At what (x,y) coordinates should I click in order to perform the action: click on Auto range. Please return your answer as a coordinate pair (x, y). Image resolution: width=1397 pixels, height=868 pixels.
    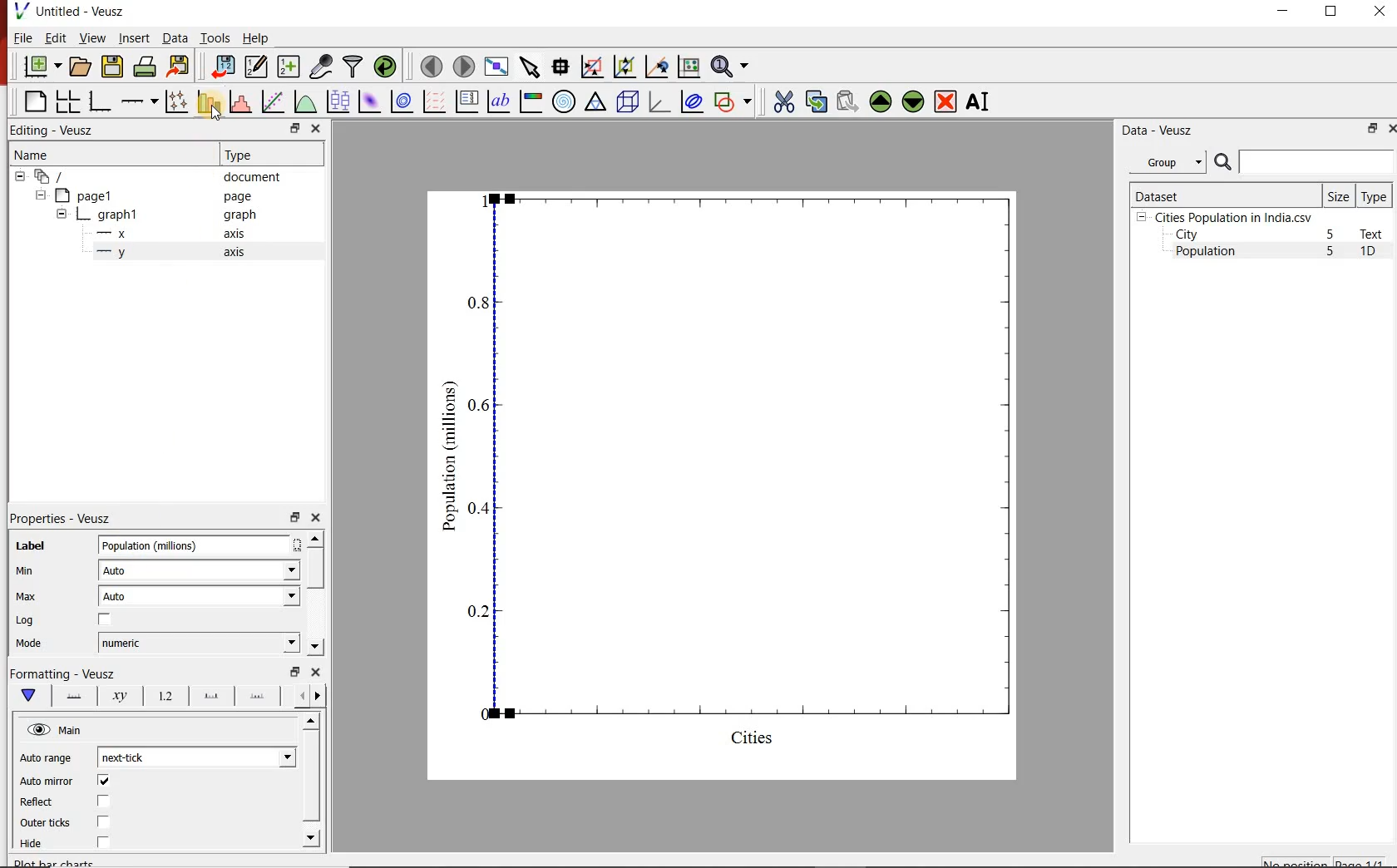
    Looking at the image, I should click on (47, 758).